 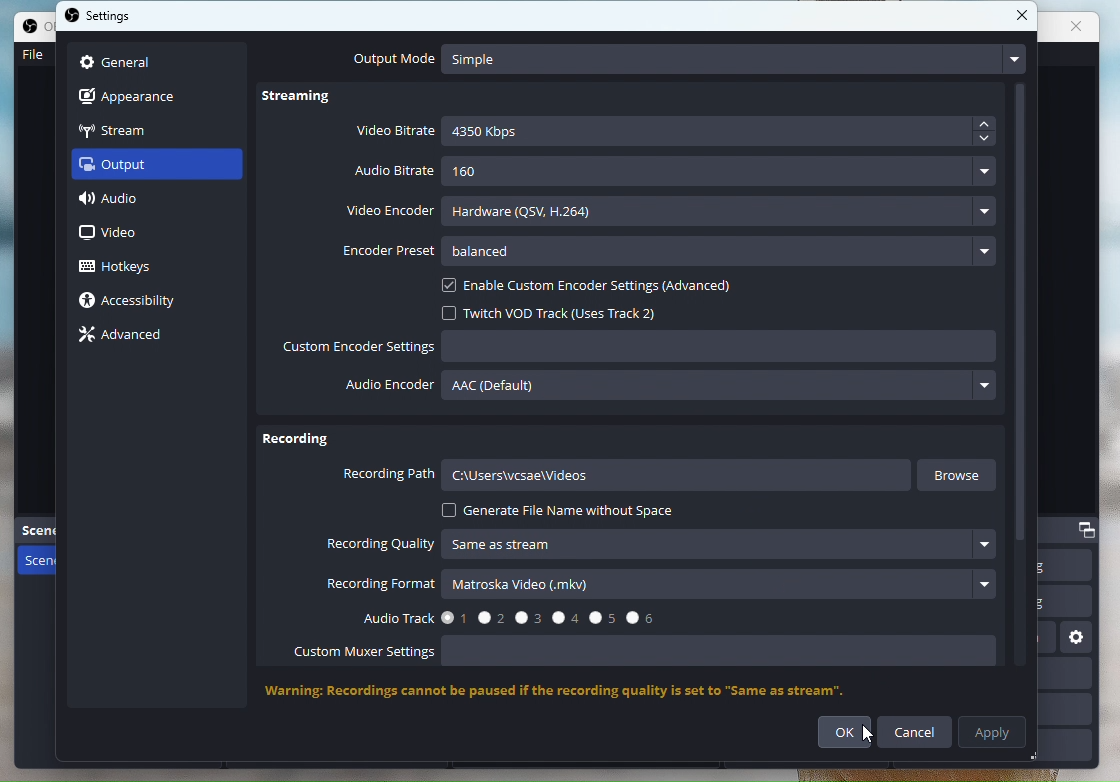 I want to click on Audio bitrate, so click(x=677, y=172).